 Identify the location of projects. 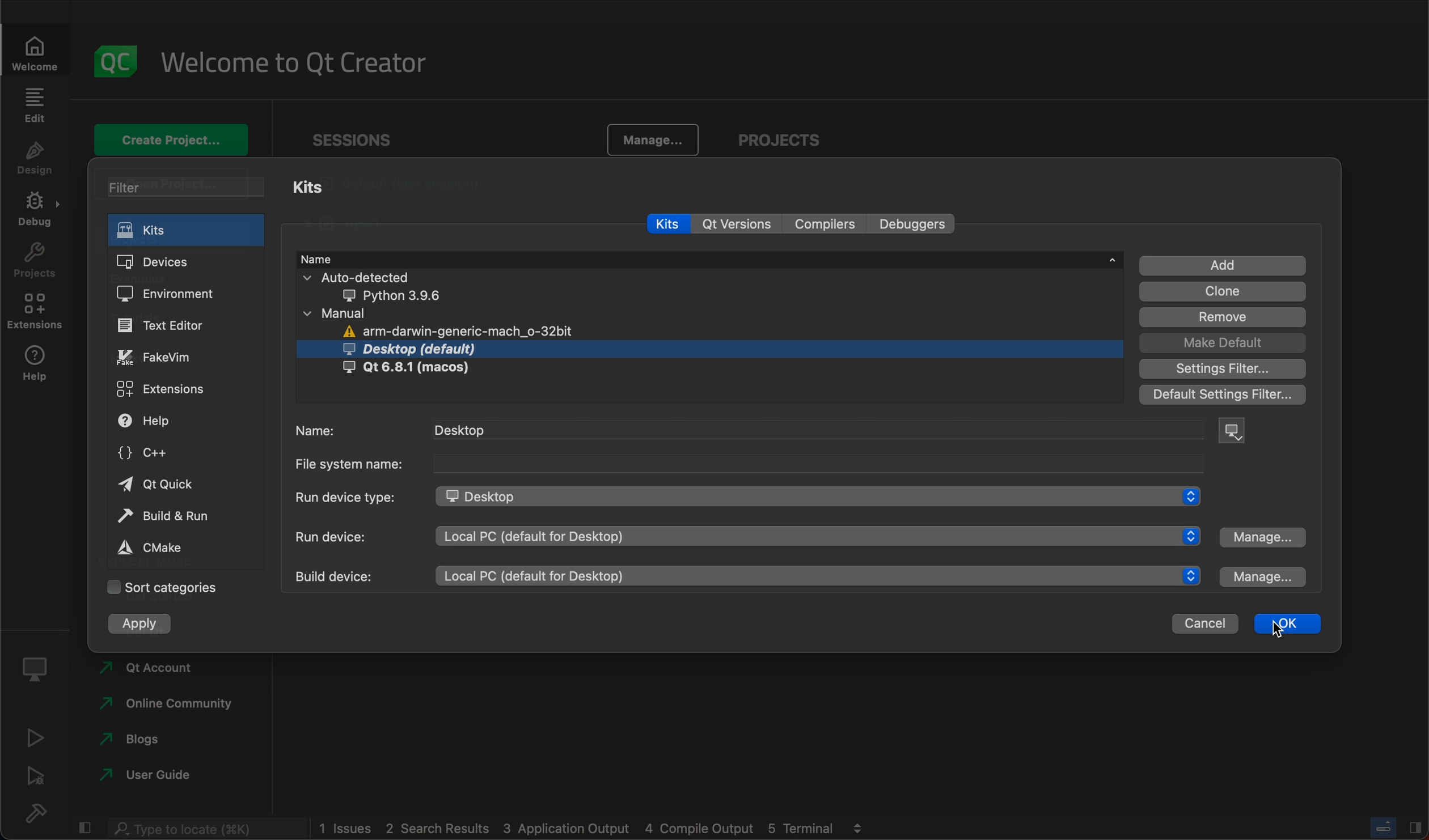
(787, 134).